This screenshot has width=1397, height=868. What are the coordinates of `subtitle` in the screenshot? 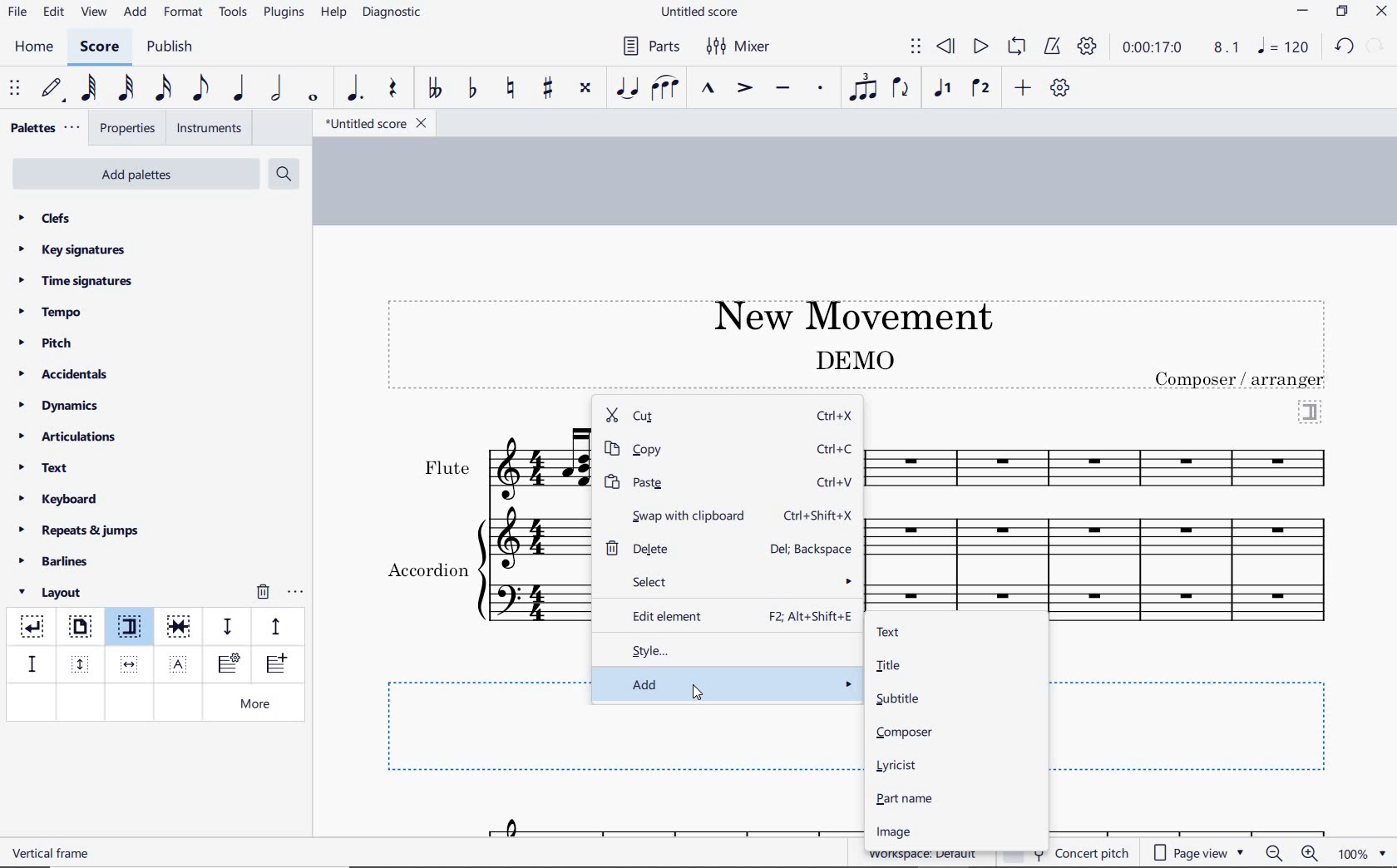 It's located at (896, 698).